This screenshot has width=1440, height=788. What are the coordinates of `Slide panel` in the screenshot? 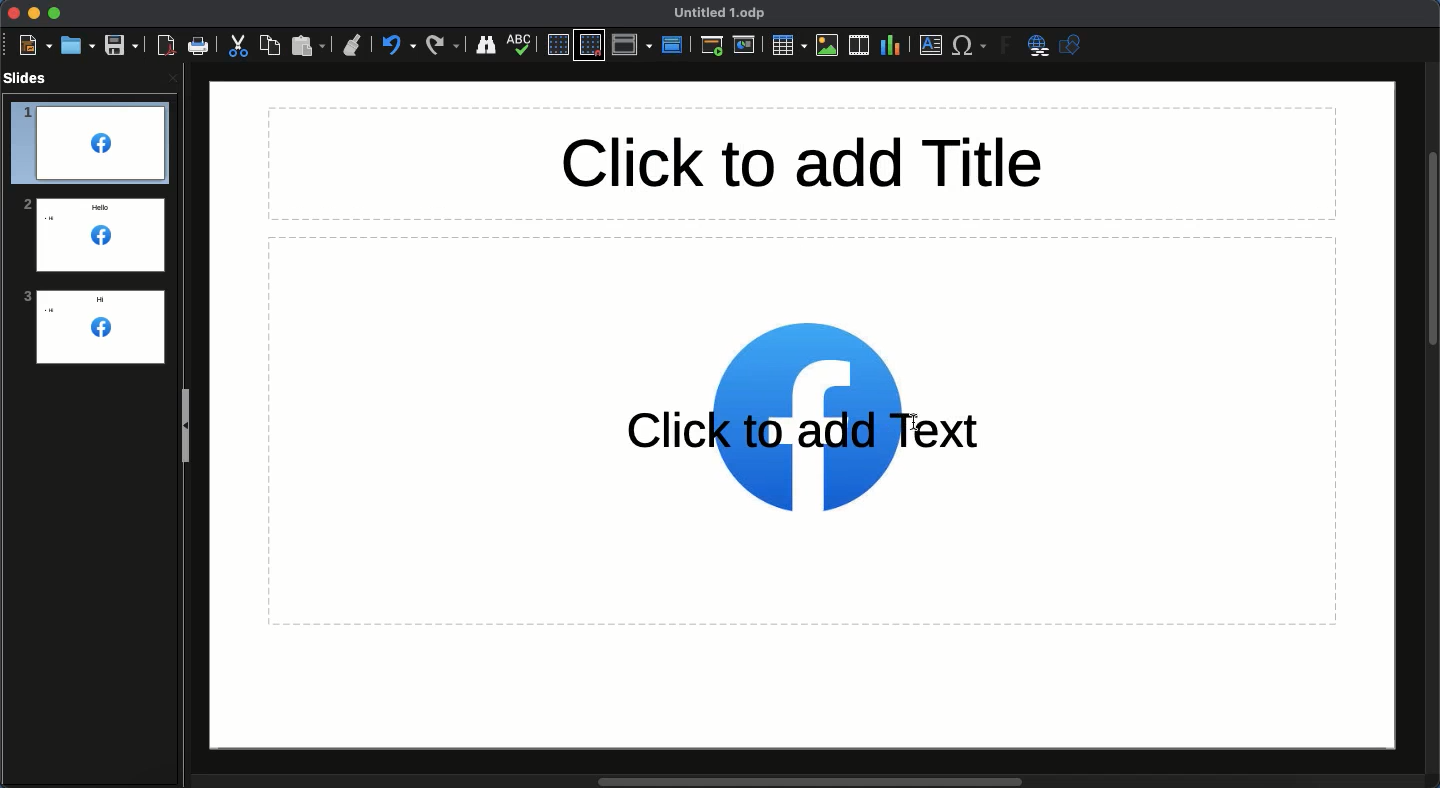 It's located at (186, 427).